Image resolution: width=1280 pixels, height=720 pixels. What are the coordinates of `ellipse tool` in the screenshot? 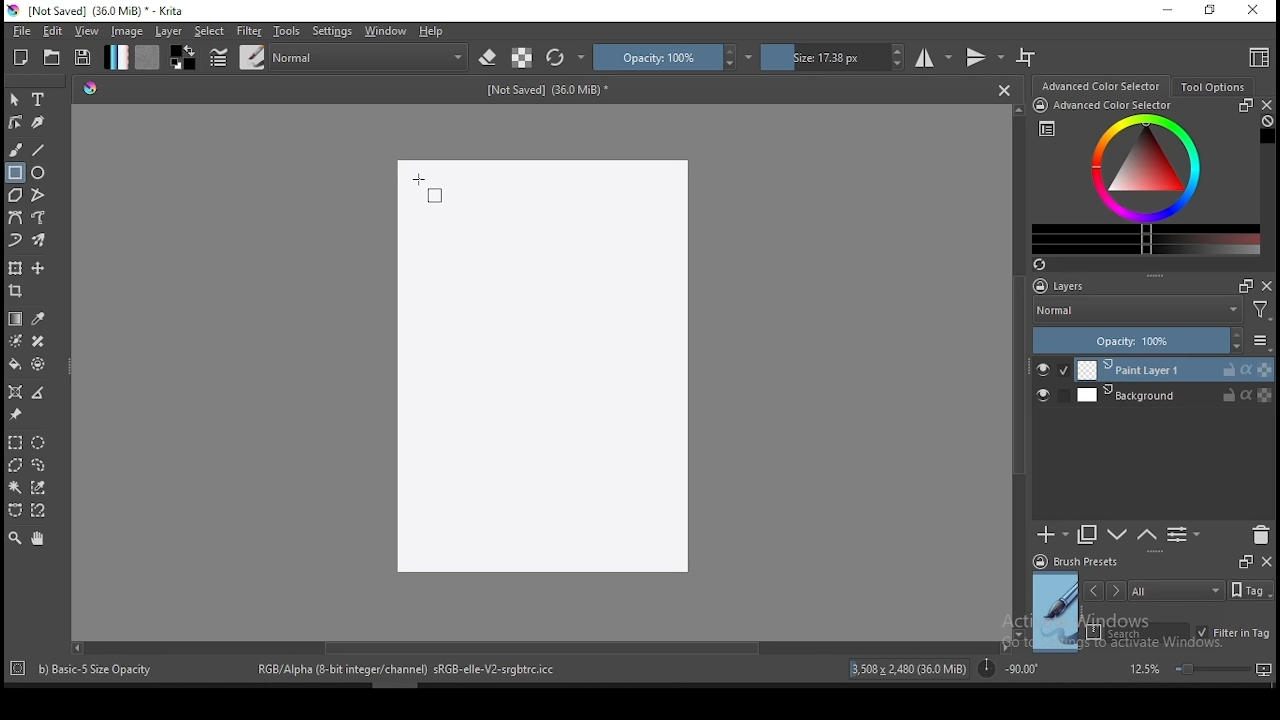 It's located at (39, 171).